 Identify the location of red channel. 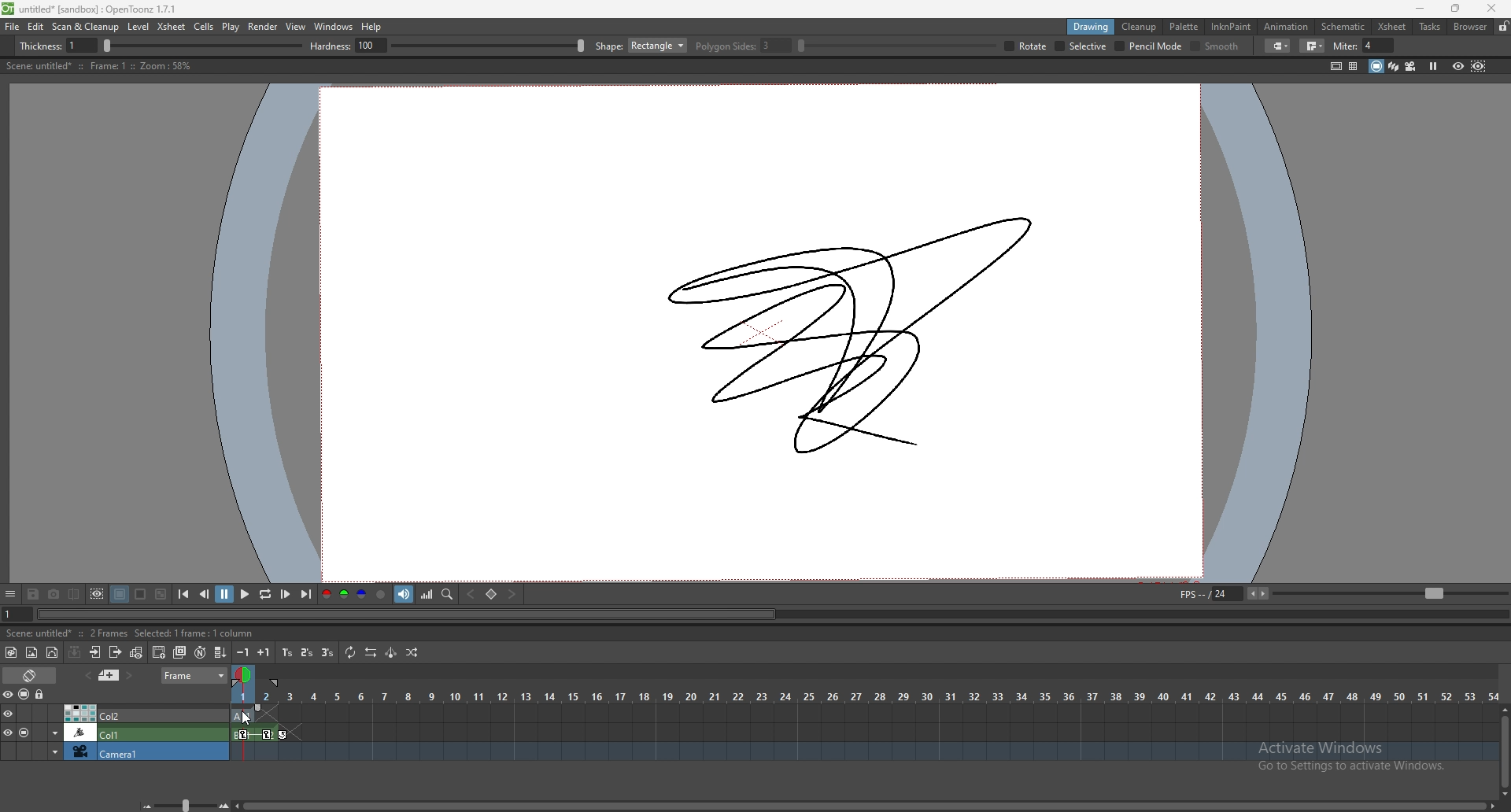
(325, 596).